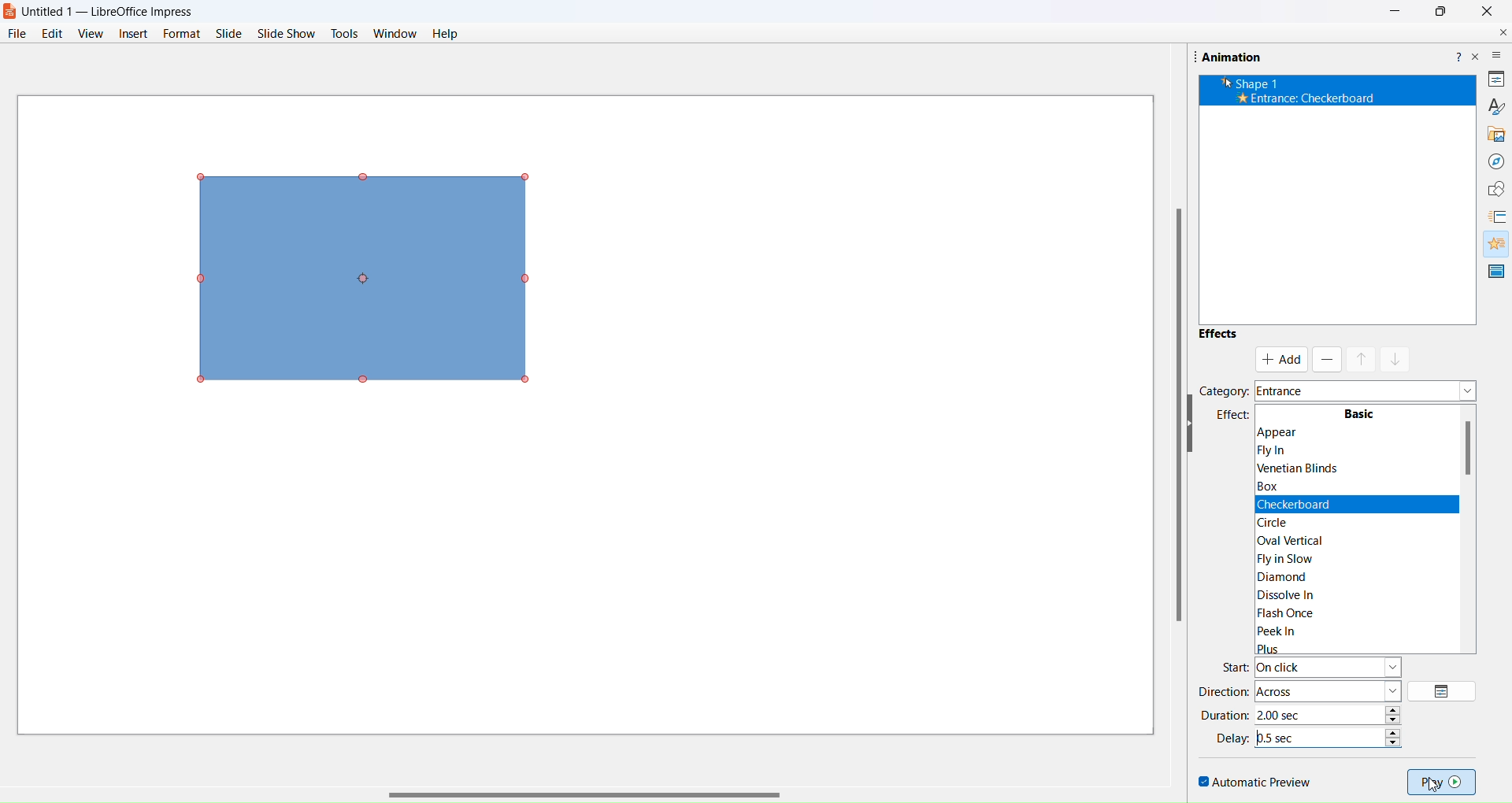  Describe the element at coordinates (228, 34) in the screenshot. I see `slide` at that location.